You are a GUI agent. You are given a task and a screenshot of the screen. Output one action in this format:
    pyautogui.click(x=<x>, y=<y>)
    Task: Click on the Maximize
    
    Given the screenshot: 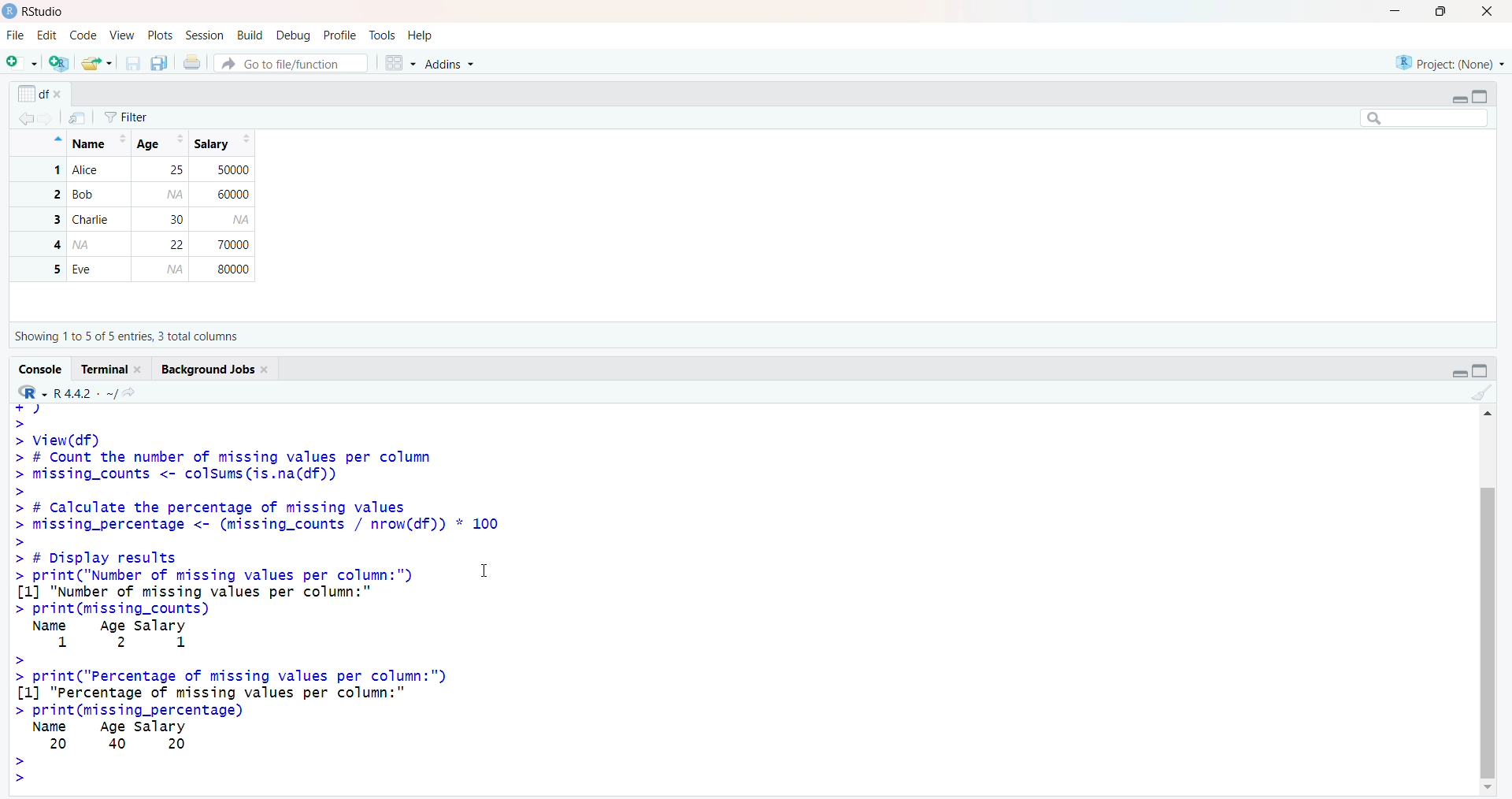 What is the action you would take?
    pyautogui.click(x=1480, y=372)
    